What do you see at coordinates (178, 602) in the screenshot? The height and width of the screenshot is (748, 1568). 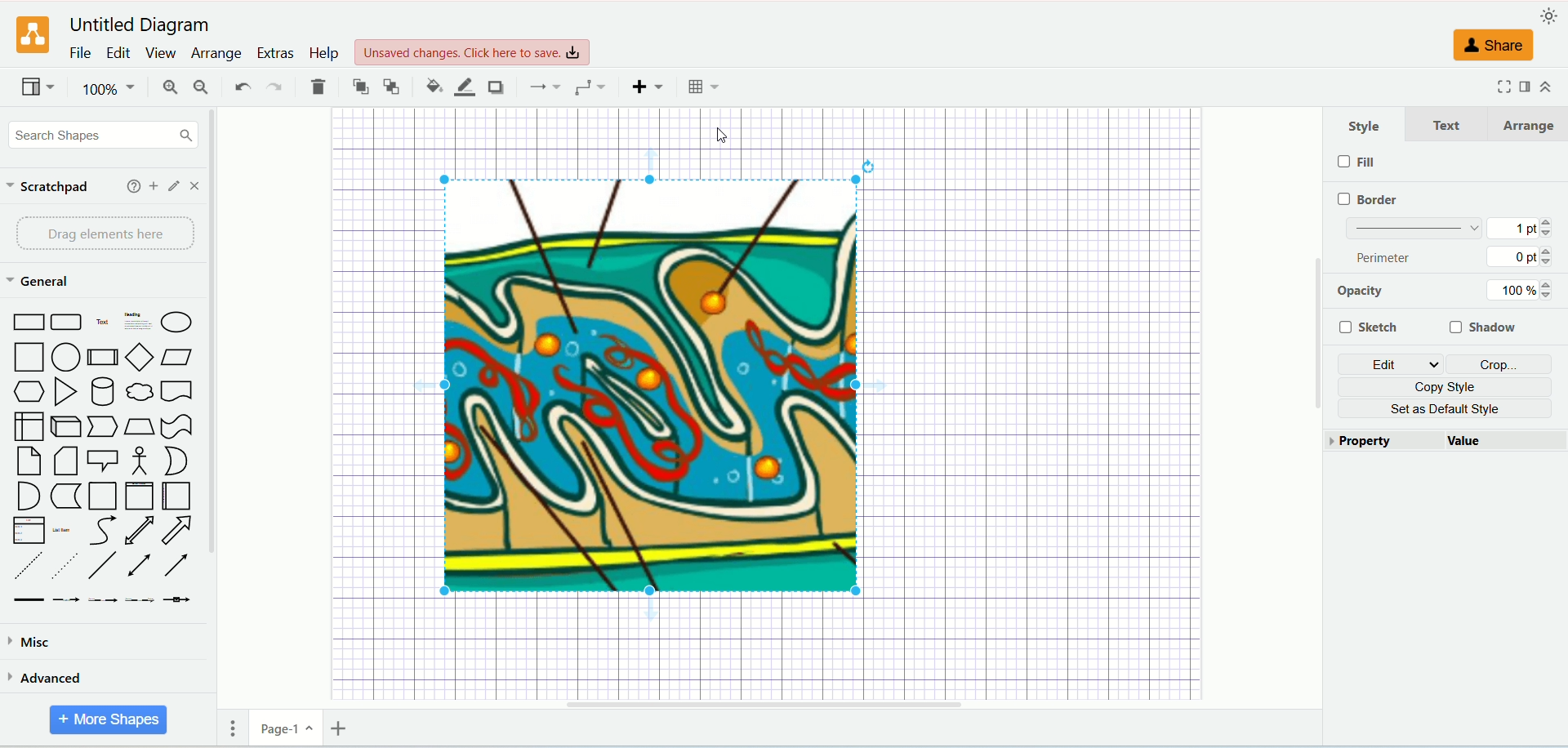 I see `Connector with Icon Symbol` at bounding box center [178, 602].